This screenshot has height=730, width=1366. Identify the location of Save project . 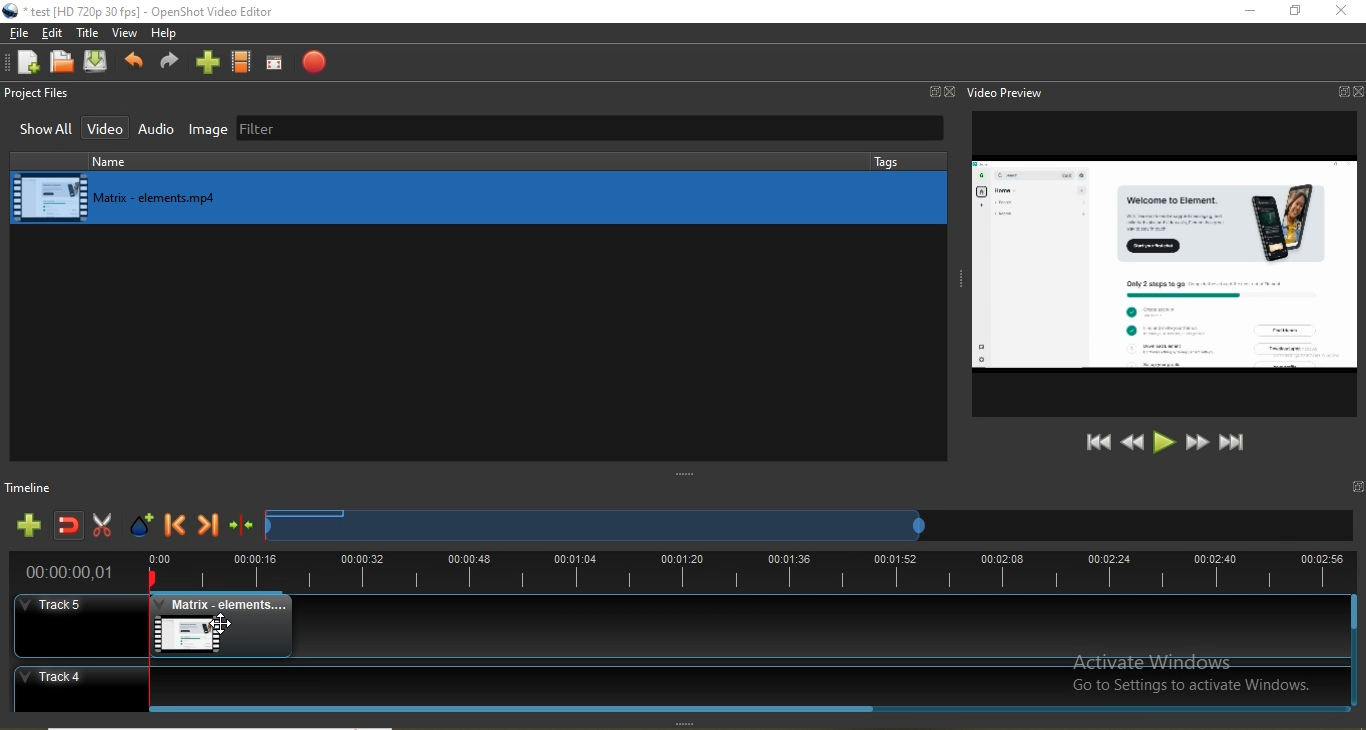
(100, 63).